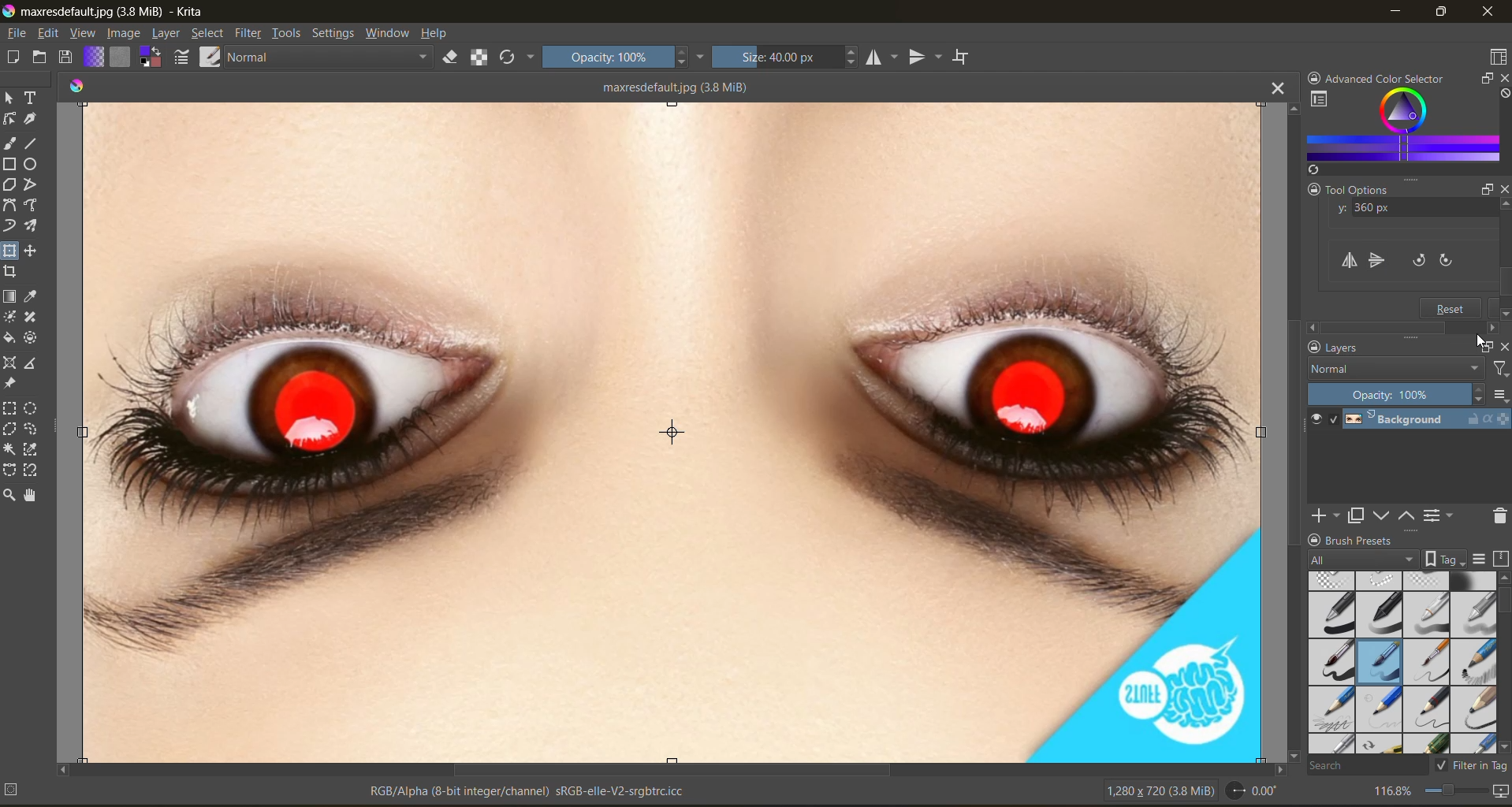  I want to click on tool, so click(35, 143).